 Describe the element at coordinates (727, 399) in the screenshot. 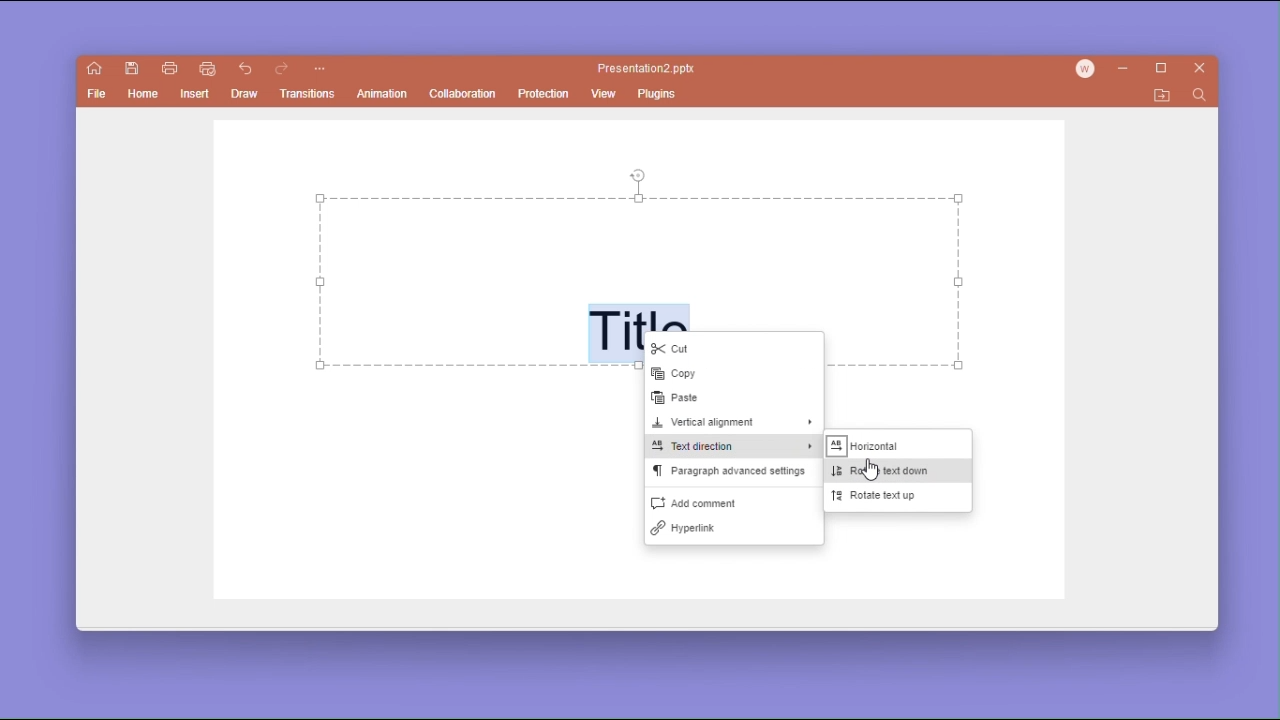

I see `paste` at that location.